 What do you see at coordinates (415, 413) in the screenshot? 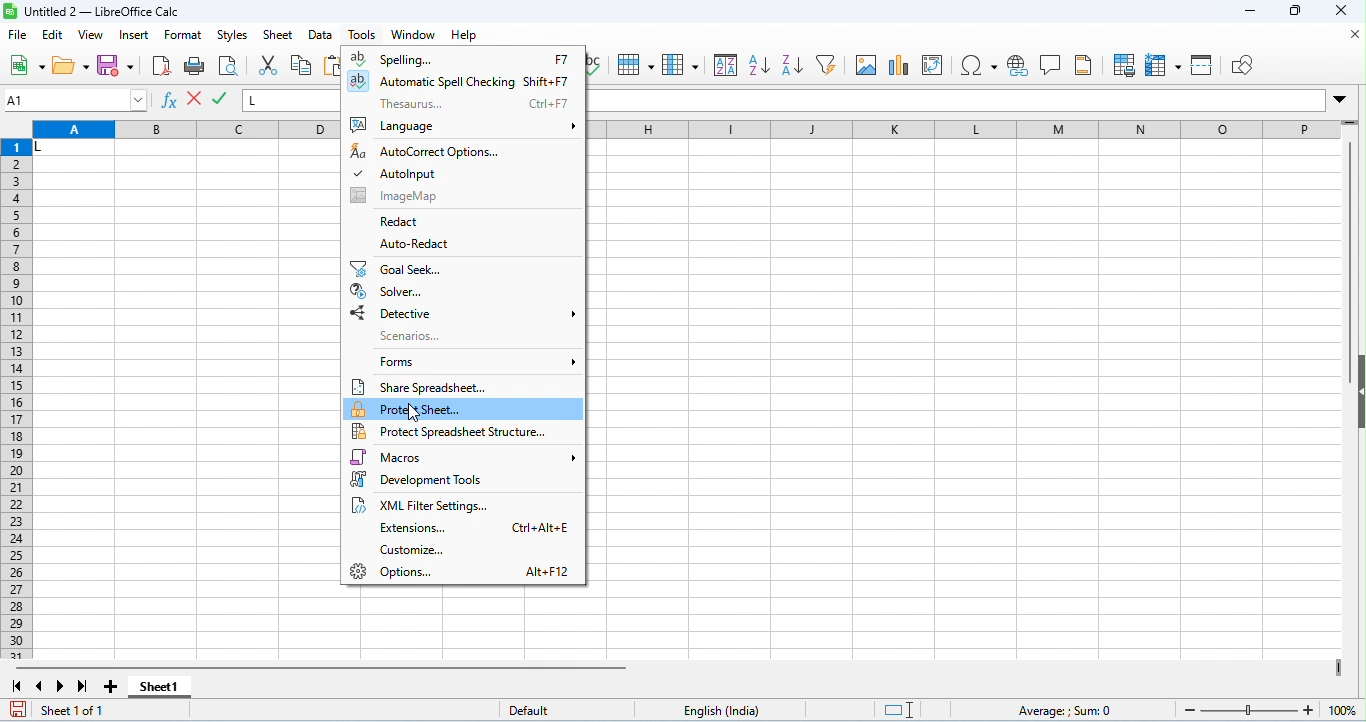
I see `cursor movement` at bounding box center [415, 413].